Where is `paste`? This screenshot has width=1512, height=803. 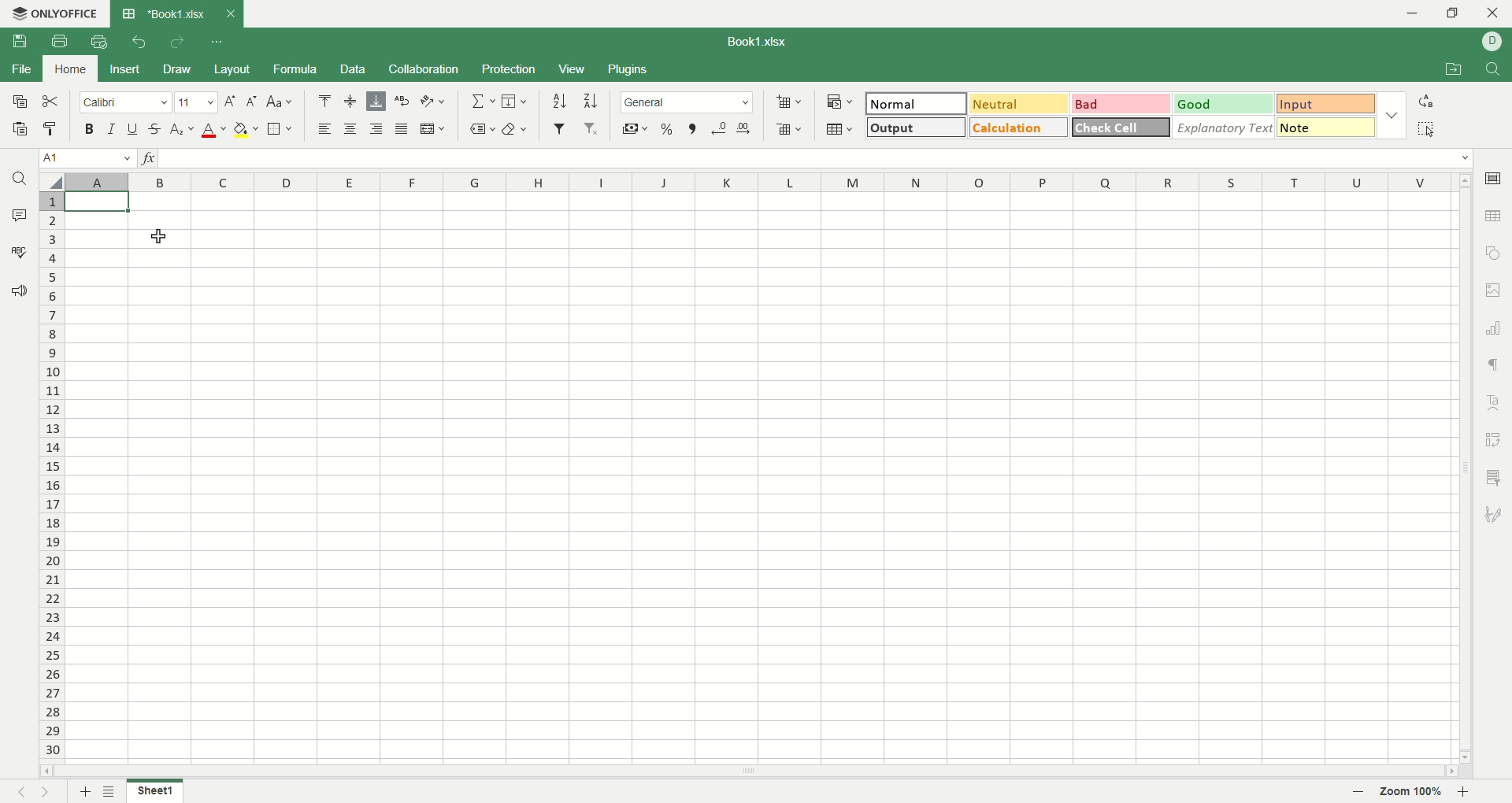 paste is located at coordinates (18, 128).